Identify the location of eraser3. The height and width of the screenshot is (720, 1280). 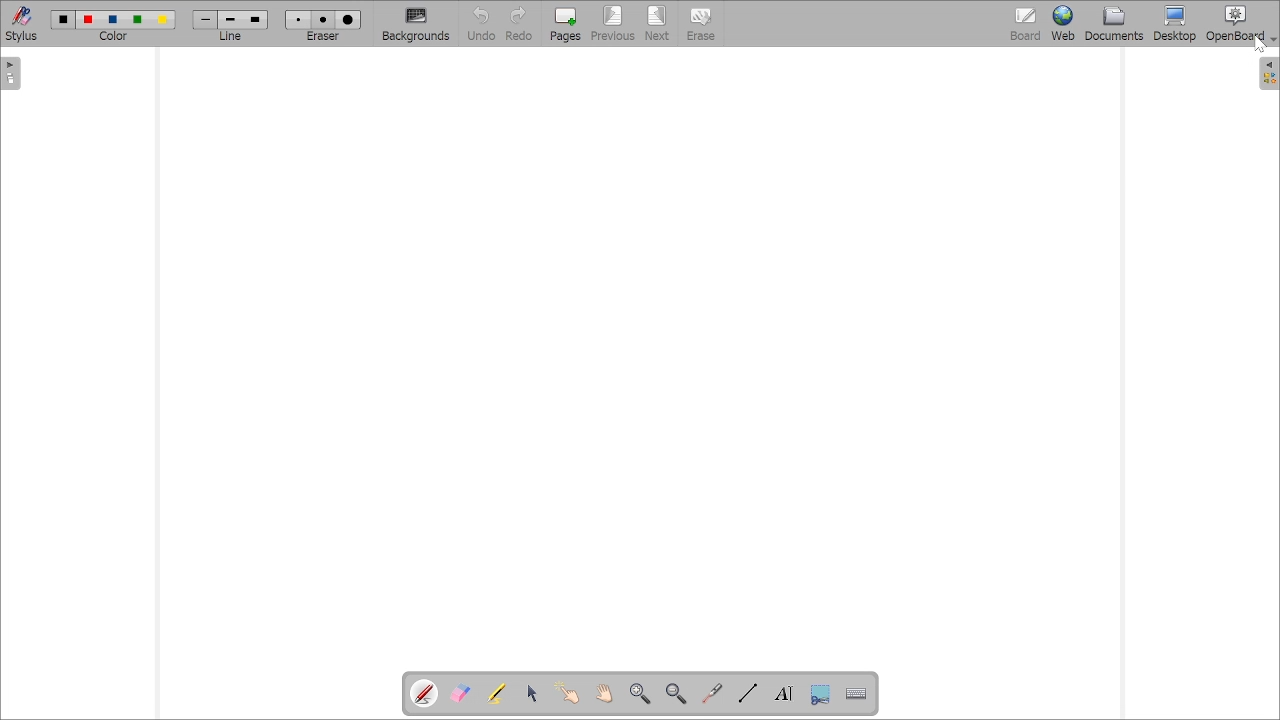
(348, 20).